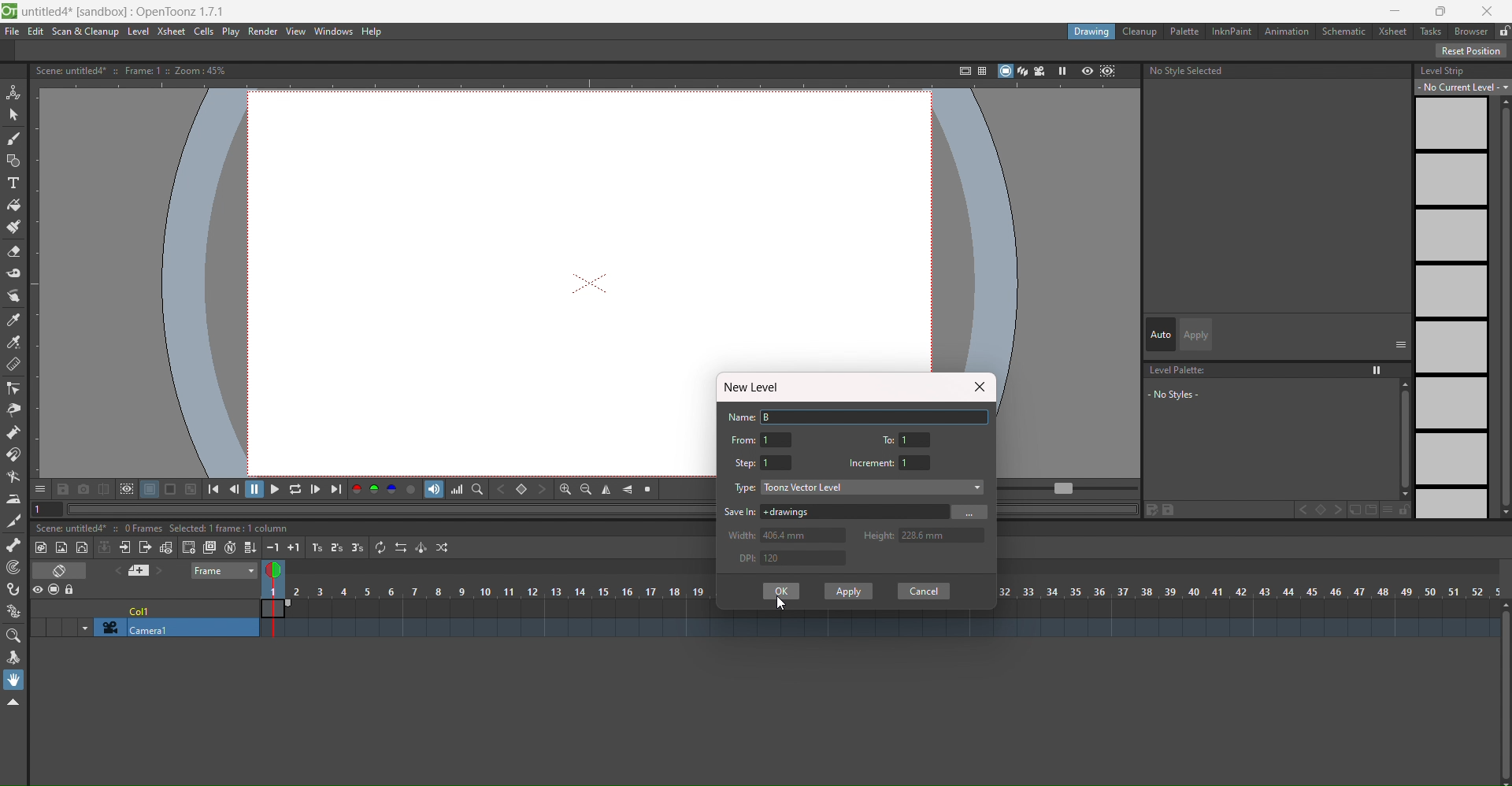 The height and width of the screenshot is (786, 1512). Describe the element at coordinates (1180, 370) in the screenshot. I see `level palette` at that location.